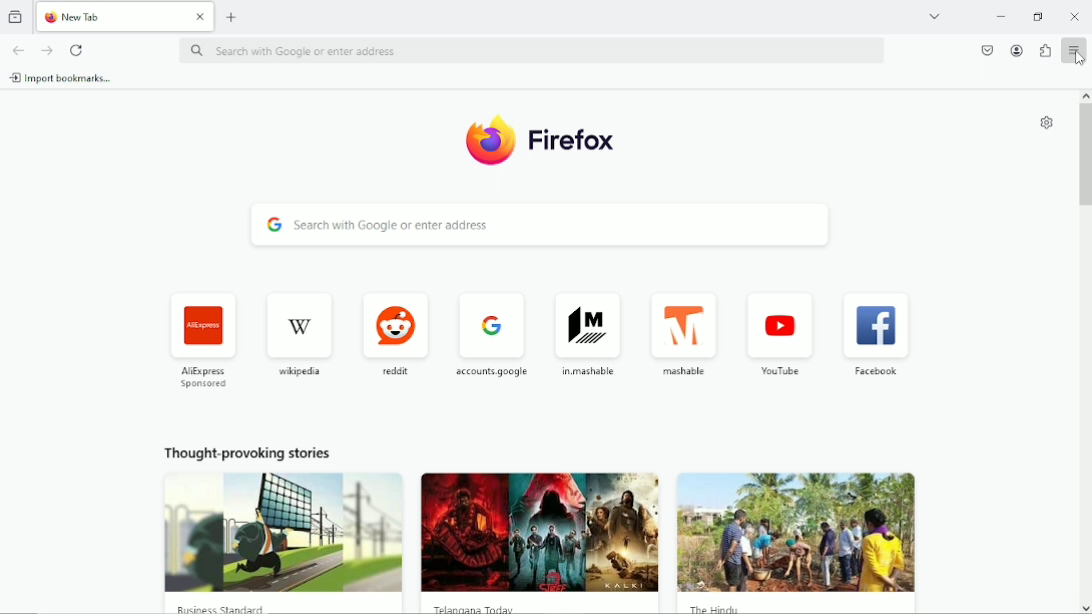 The height and width of the screenshot is (614, 1092). I want to click on in.mashable, so click(585, 331).